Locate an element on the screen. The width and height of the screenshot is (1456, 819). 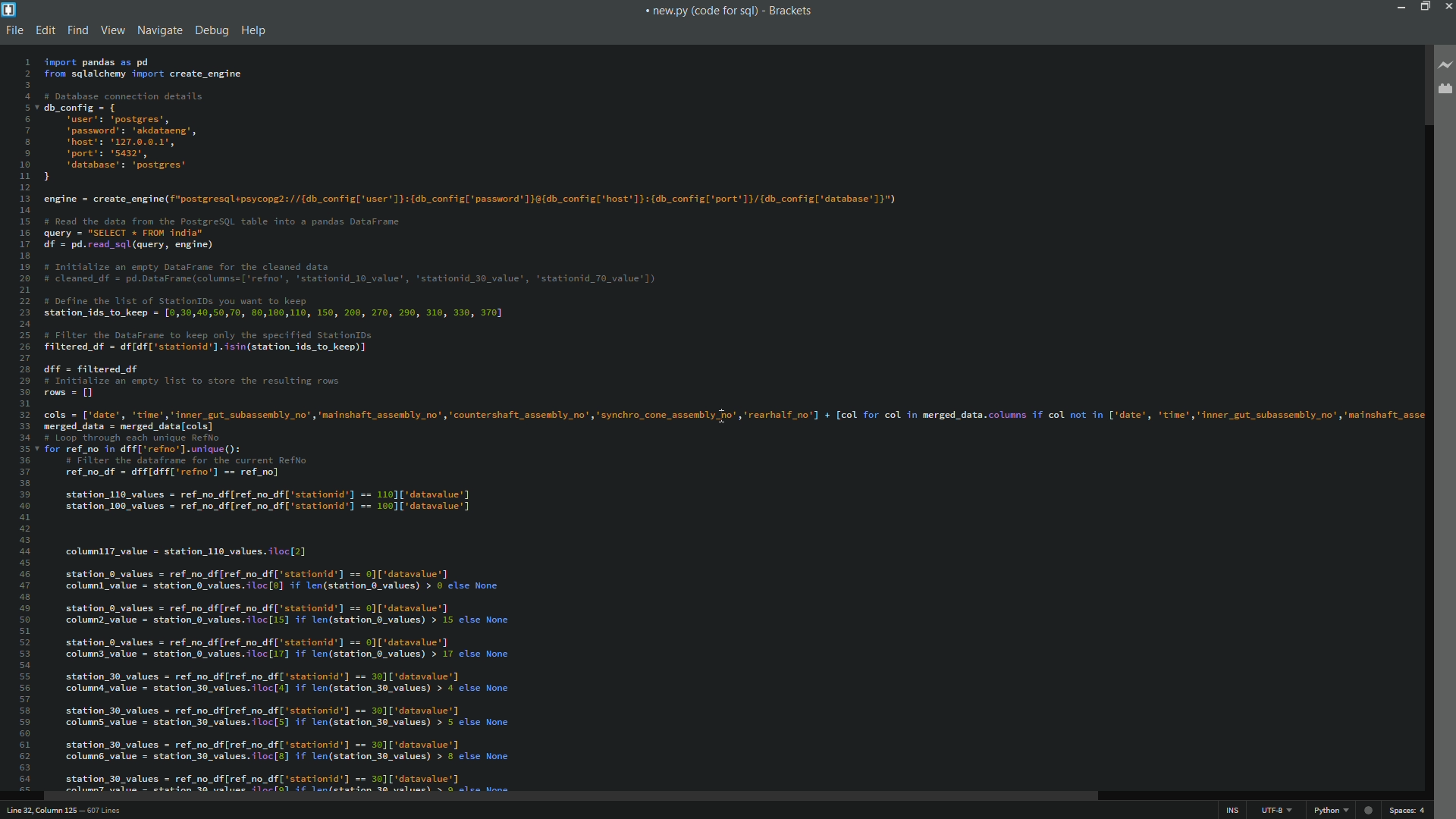
scroll bar is located at coordinates (573, 797).